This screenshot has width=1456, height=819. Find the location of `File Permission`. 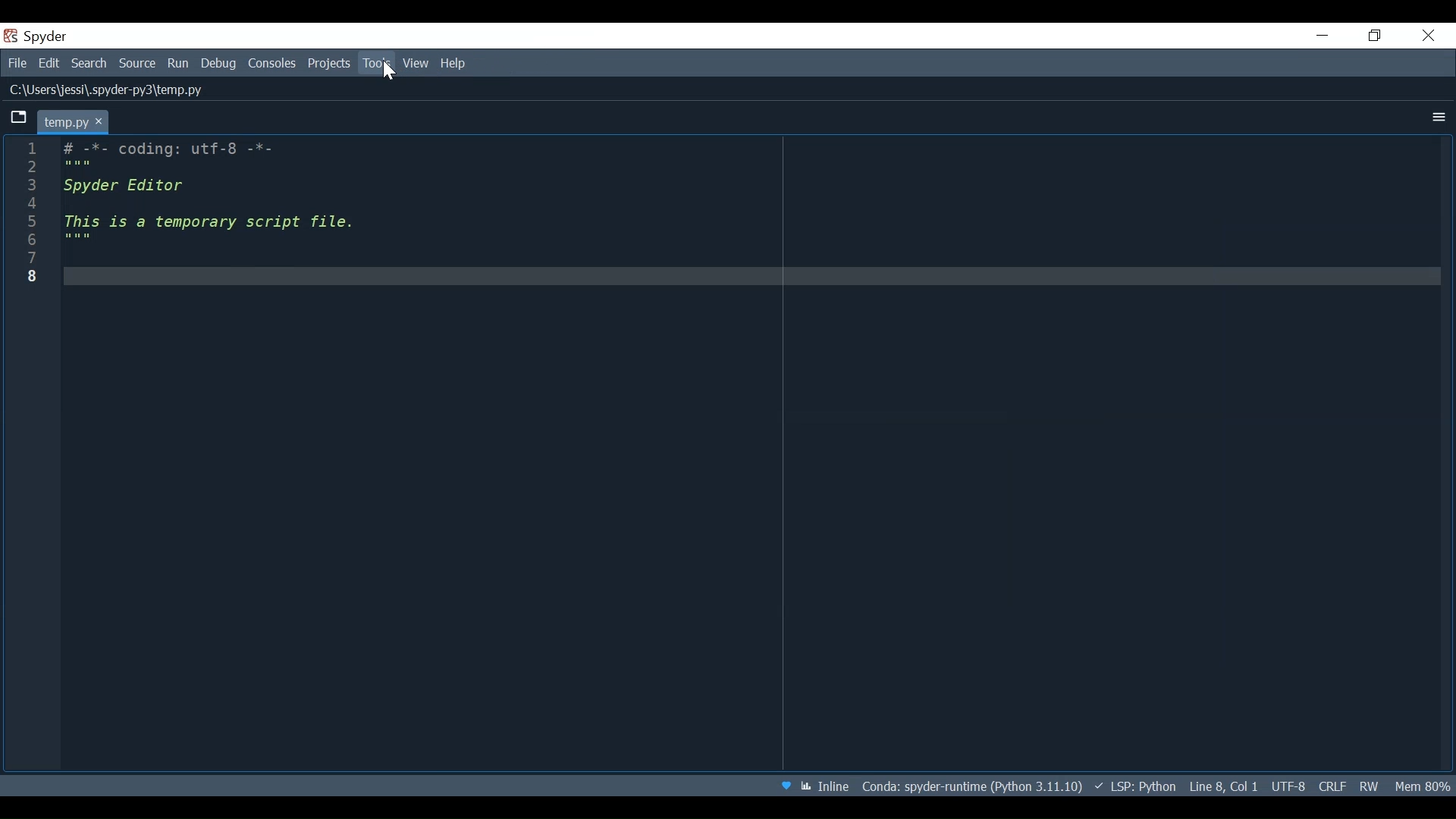

File Permission is located at coordinates (1370, 786).